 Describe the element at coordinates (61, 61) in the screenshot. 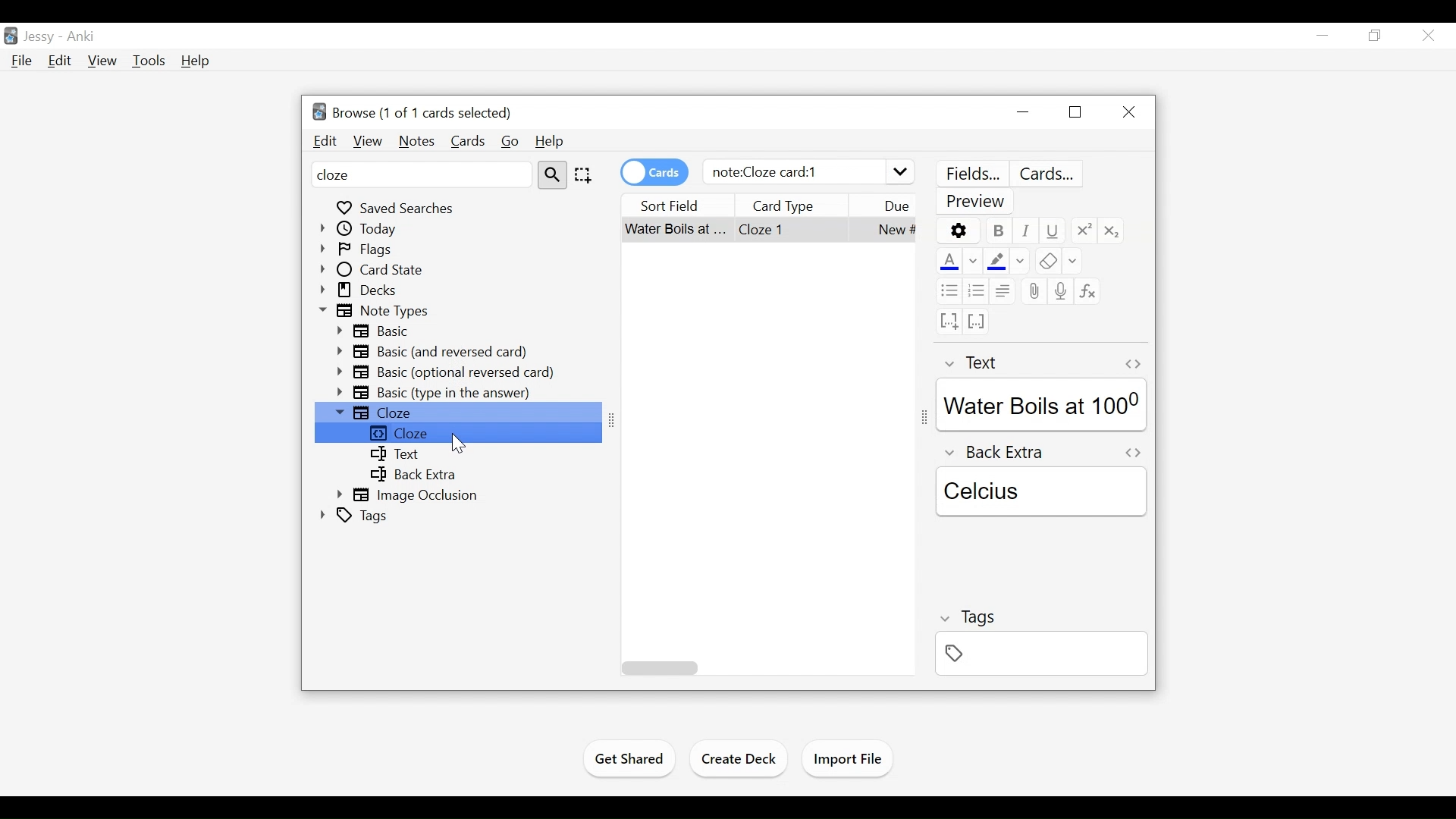

I see `Edit` at that location.